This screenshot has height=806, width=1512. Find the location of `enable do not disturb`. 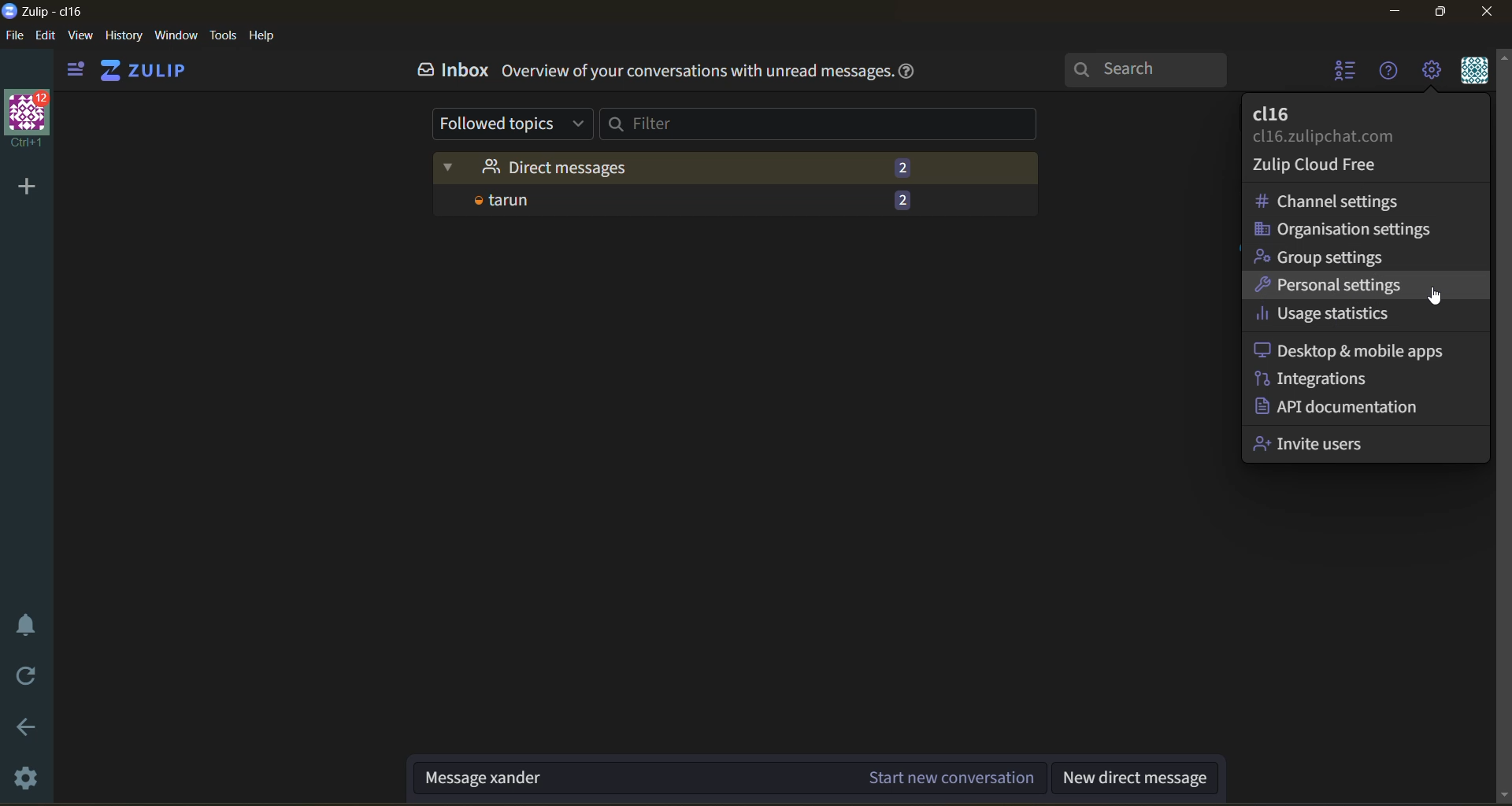

enable do not disturb is located at coordinates (26, 625).